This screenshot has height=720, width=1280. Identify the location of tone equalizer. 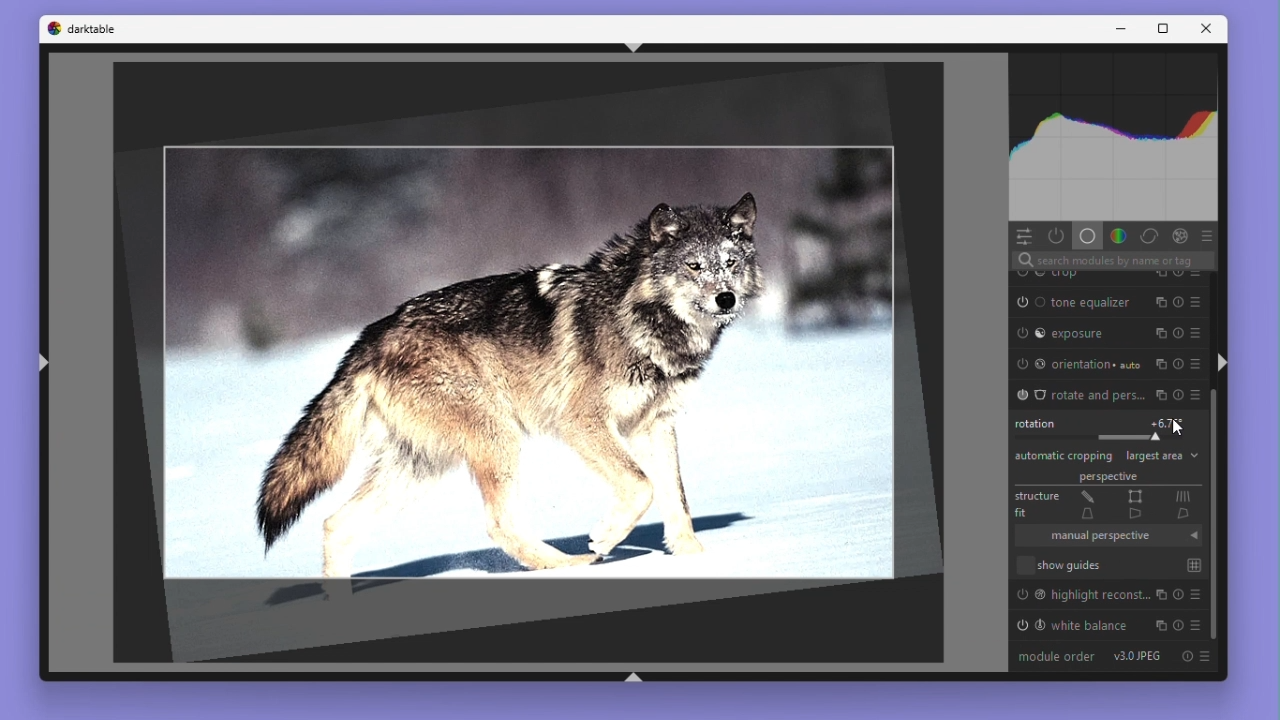
(1113, 303).